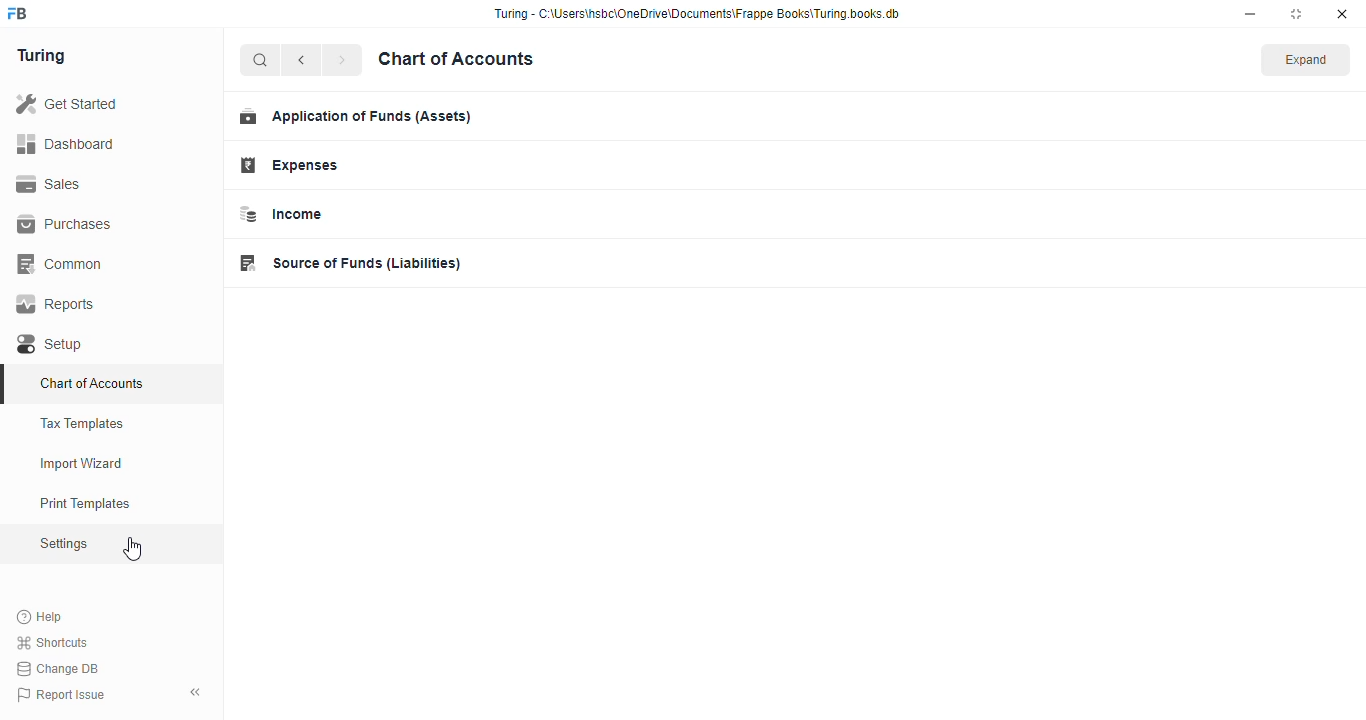 The height and width of the screenshot is (720, 1366). Describe the element at coordinates (92, 383) in the screenshot. I see `chart of accounts` at that location.